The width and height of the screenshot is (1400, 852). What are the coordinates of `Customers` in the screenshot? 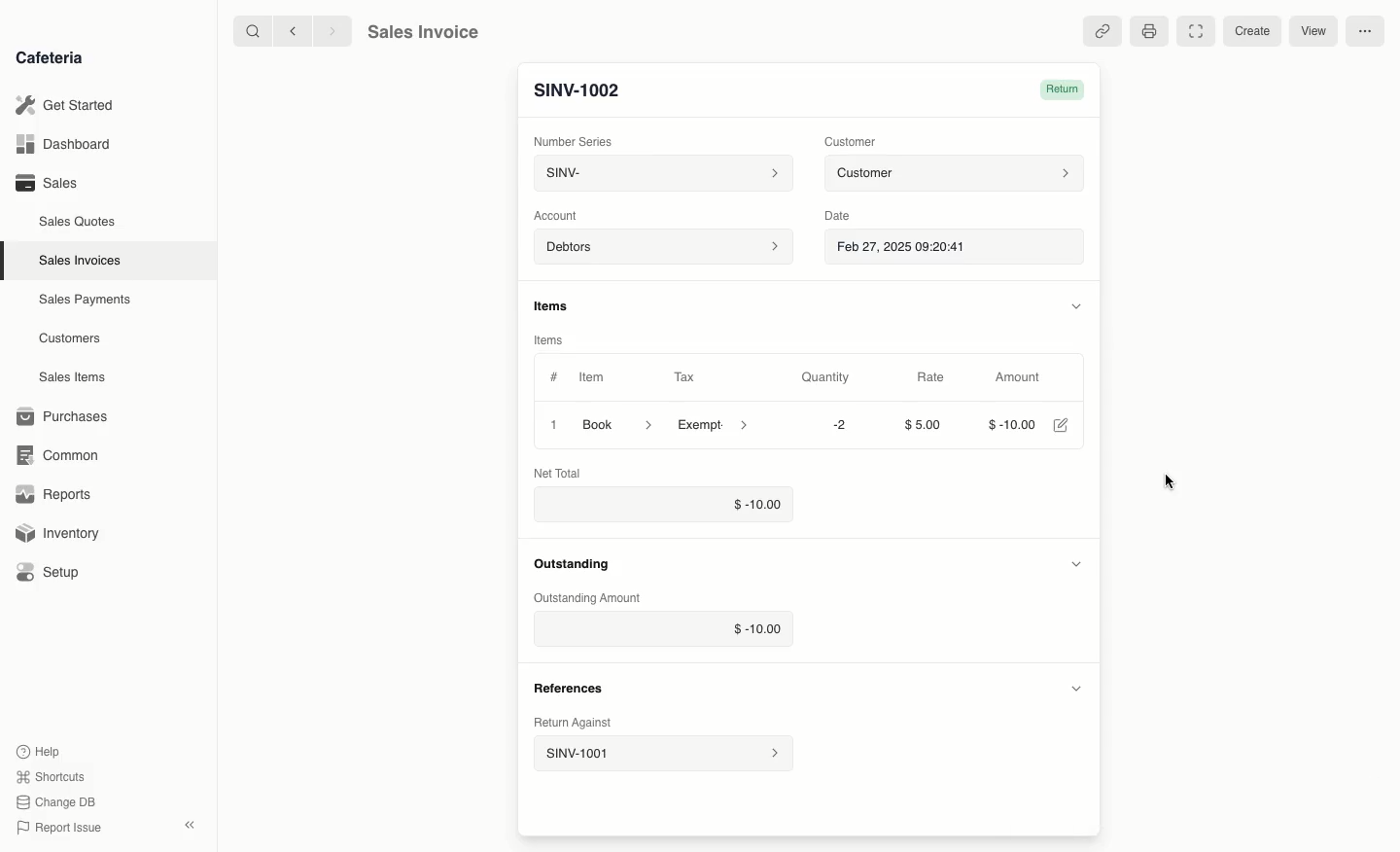 It's located at (70, 339).